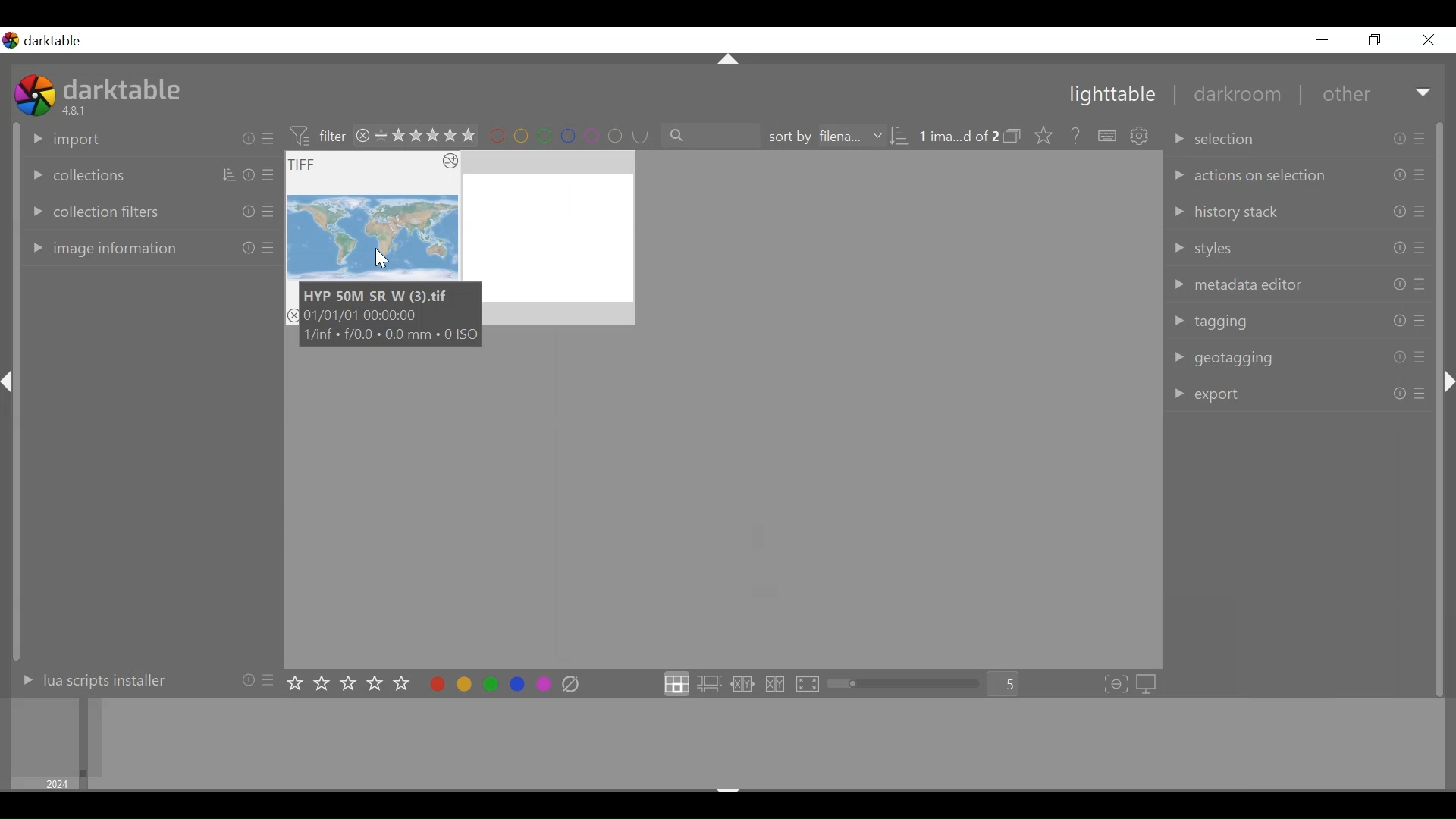 The image size is (1456, 819). What do you see at coordinates (843, 136) in the screenshot?
I see `sort by` at bounding box center [843, 136].